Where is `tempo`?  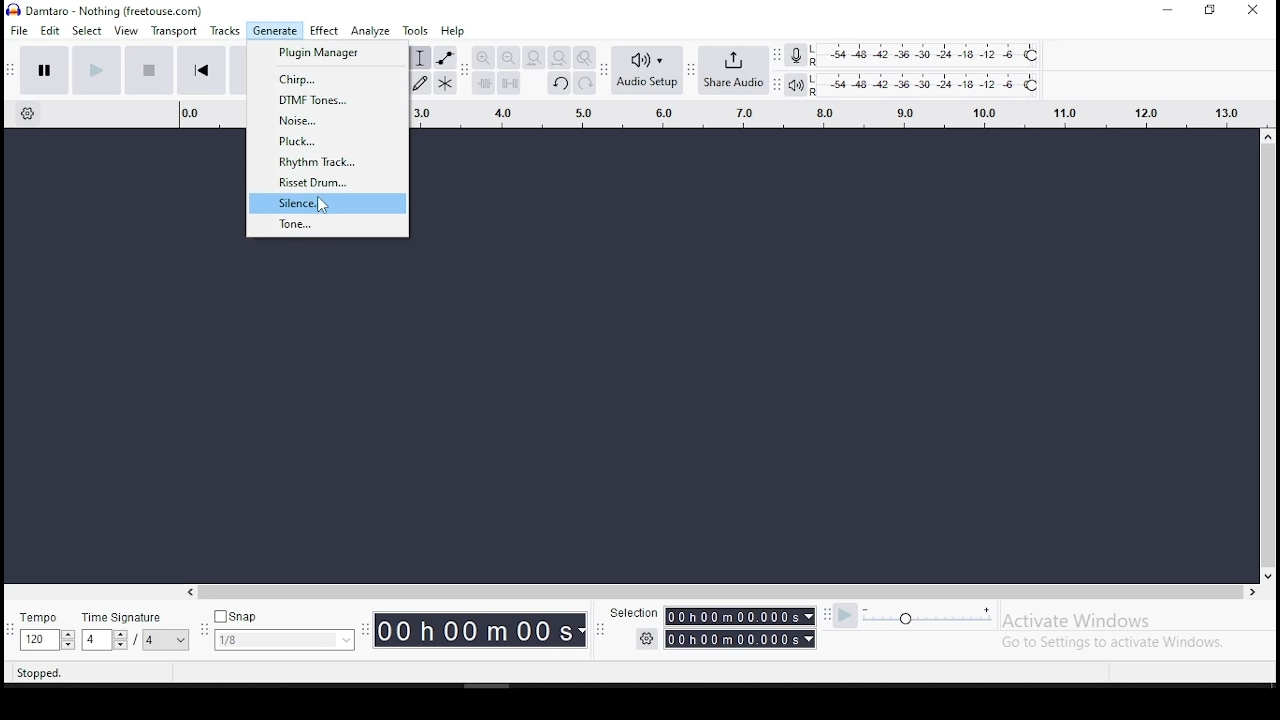
tempo is located at coordinates (37, 631).